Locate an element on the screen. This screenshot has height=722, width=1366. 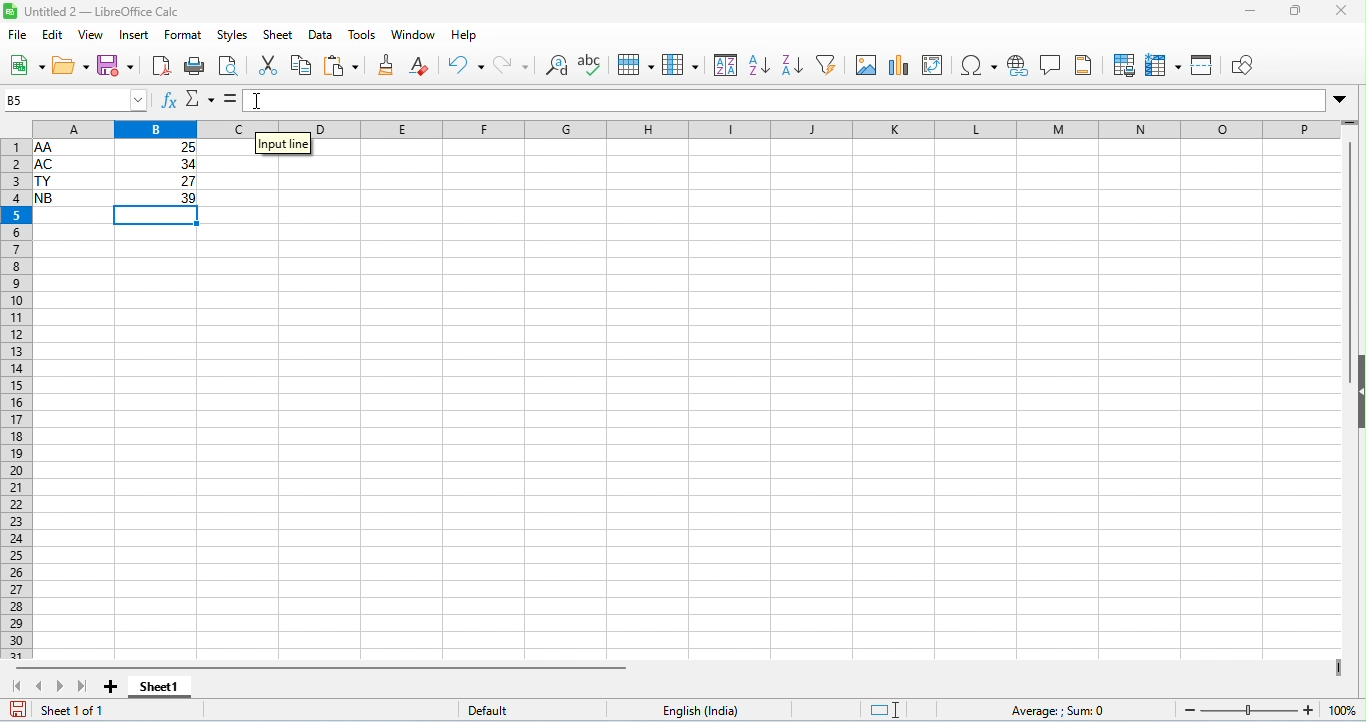
tools is located at coordinates (363, 36).